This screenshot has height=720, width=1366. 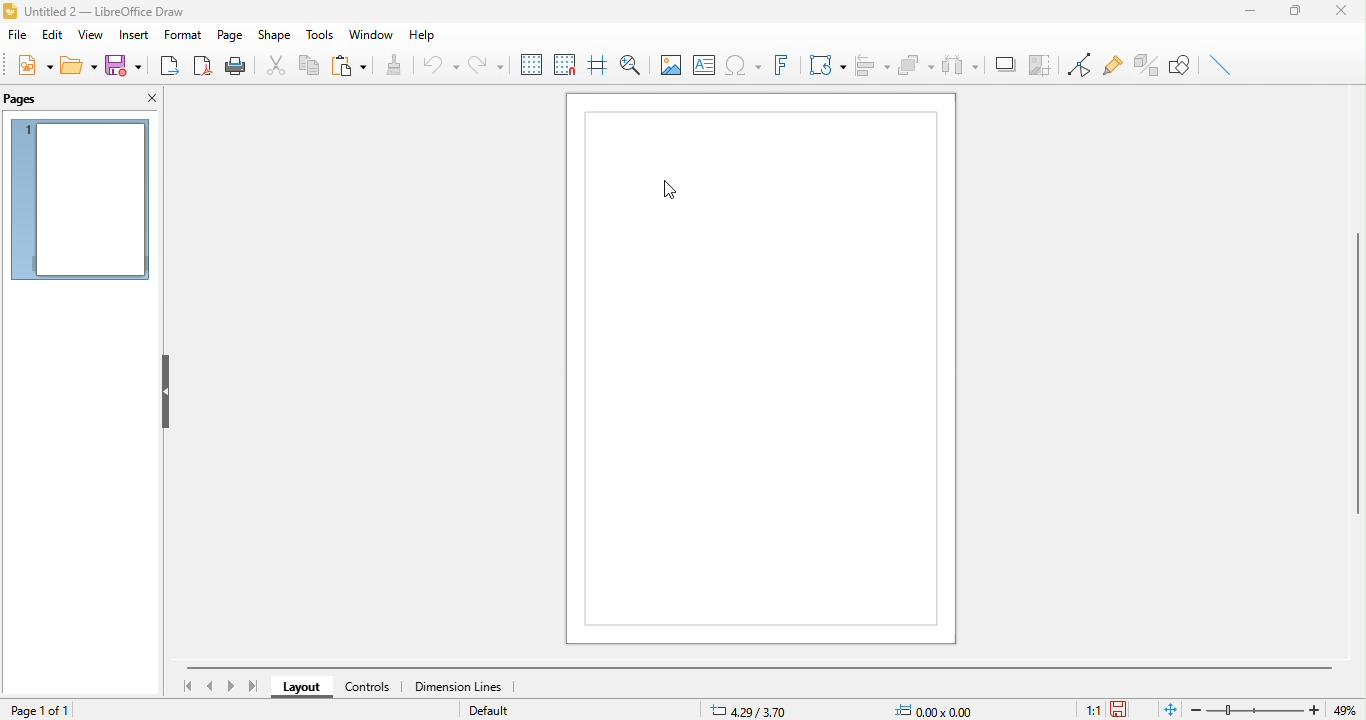 What do you see at coordinates (759, 664) in the screenshot?
I see `horizontal scroll bar` at bounding box center [759, 664].